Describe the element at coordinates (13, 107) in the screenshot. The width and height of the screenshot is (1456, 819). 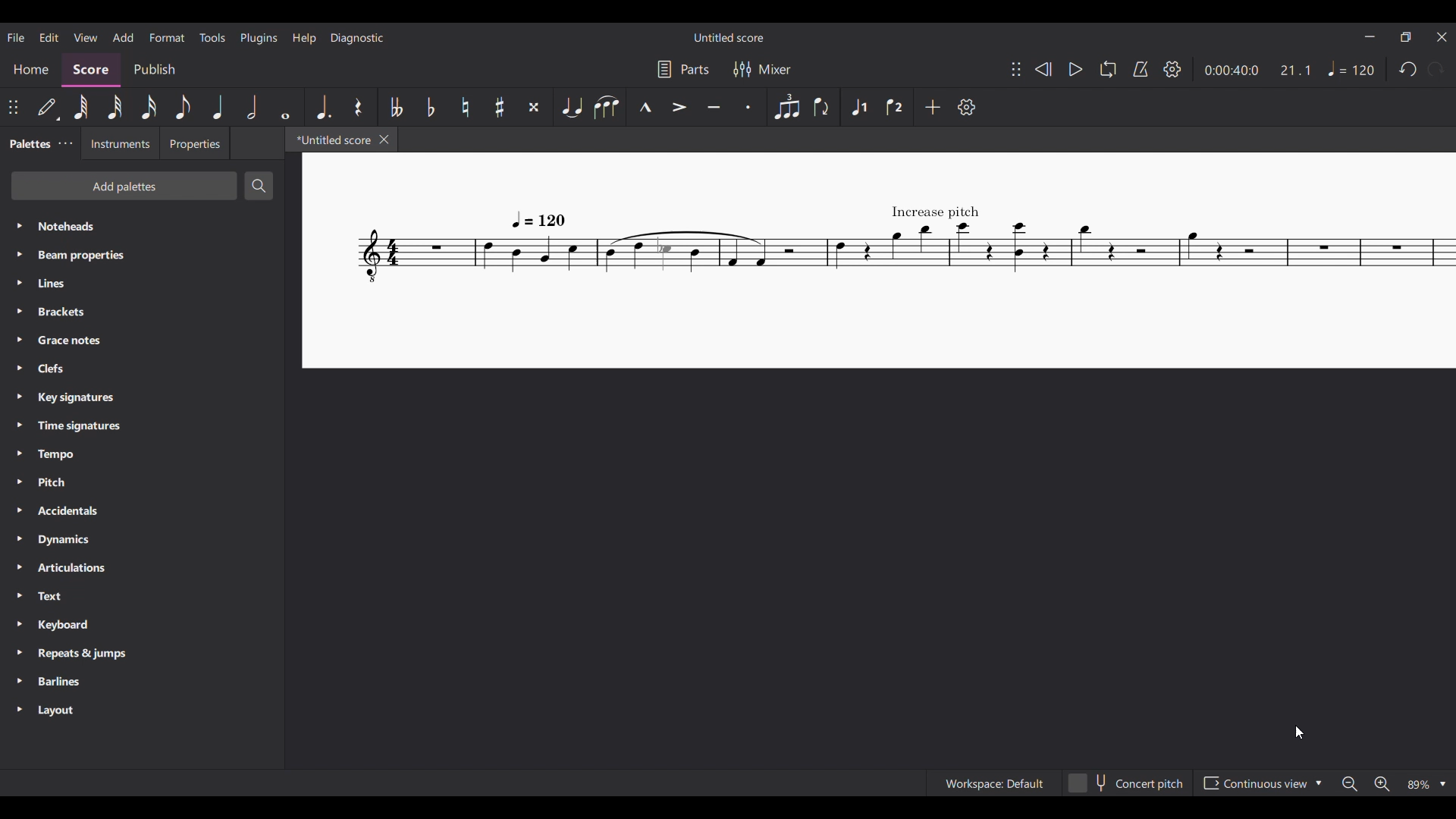
I see `Change position` at that location.